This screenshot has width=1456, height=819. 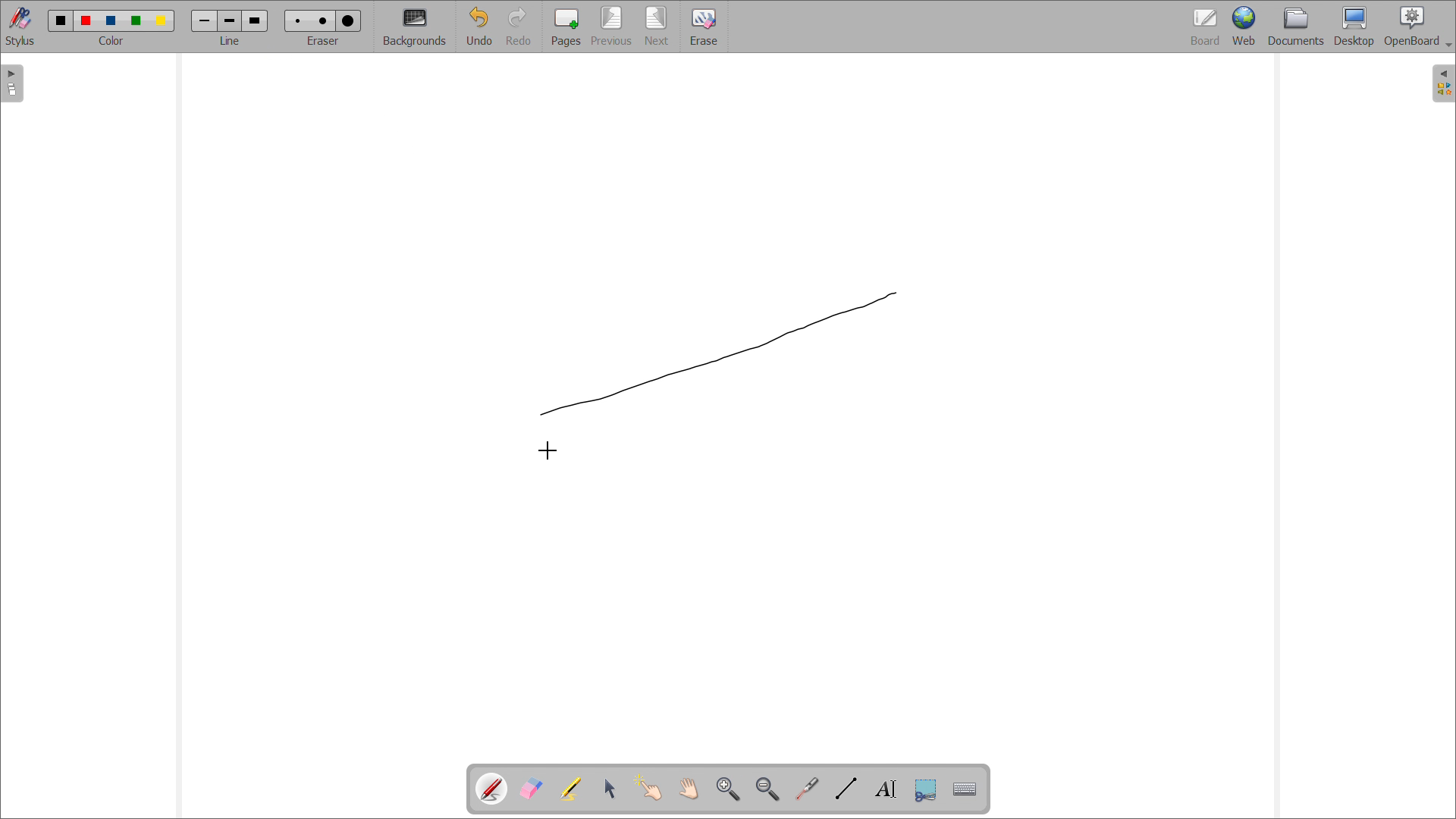 What do you see at coordinates (650, 788) in the screenshot?
I see `interact with items` at bounding box center [650, 788].